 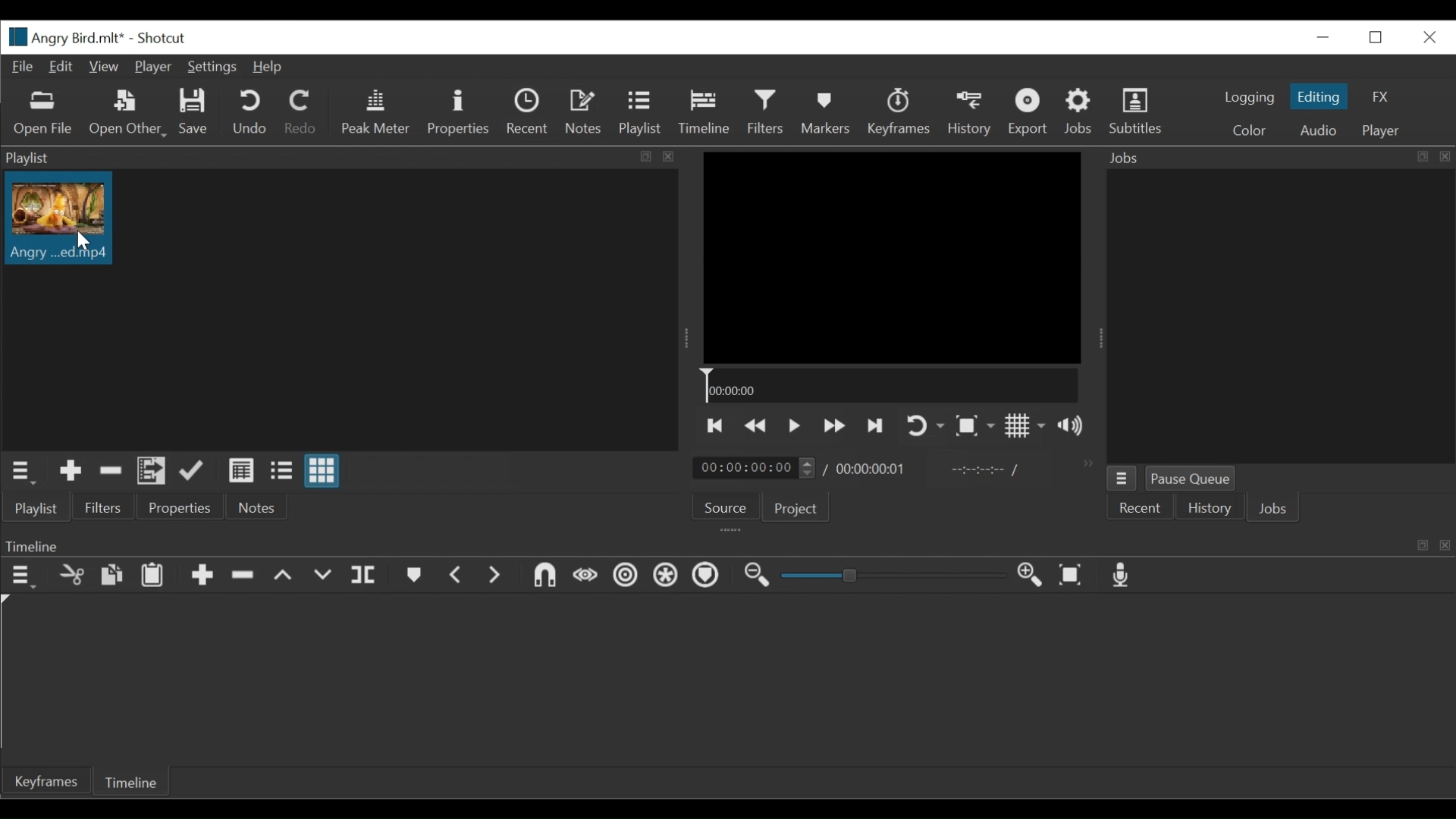 What do you see at coordinates (202, 578) in the screenshot?
I see `add clip` at bounding box center [202, 578].